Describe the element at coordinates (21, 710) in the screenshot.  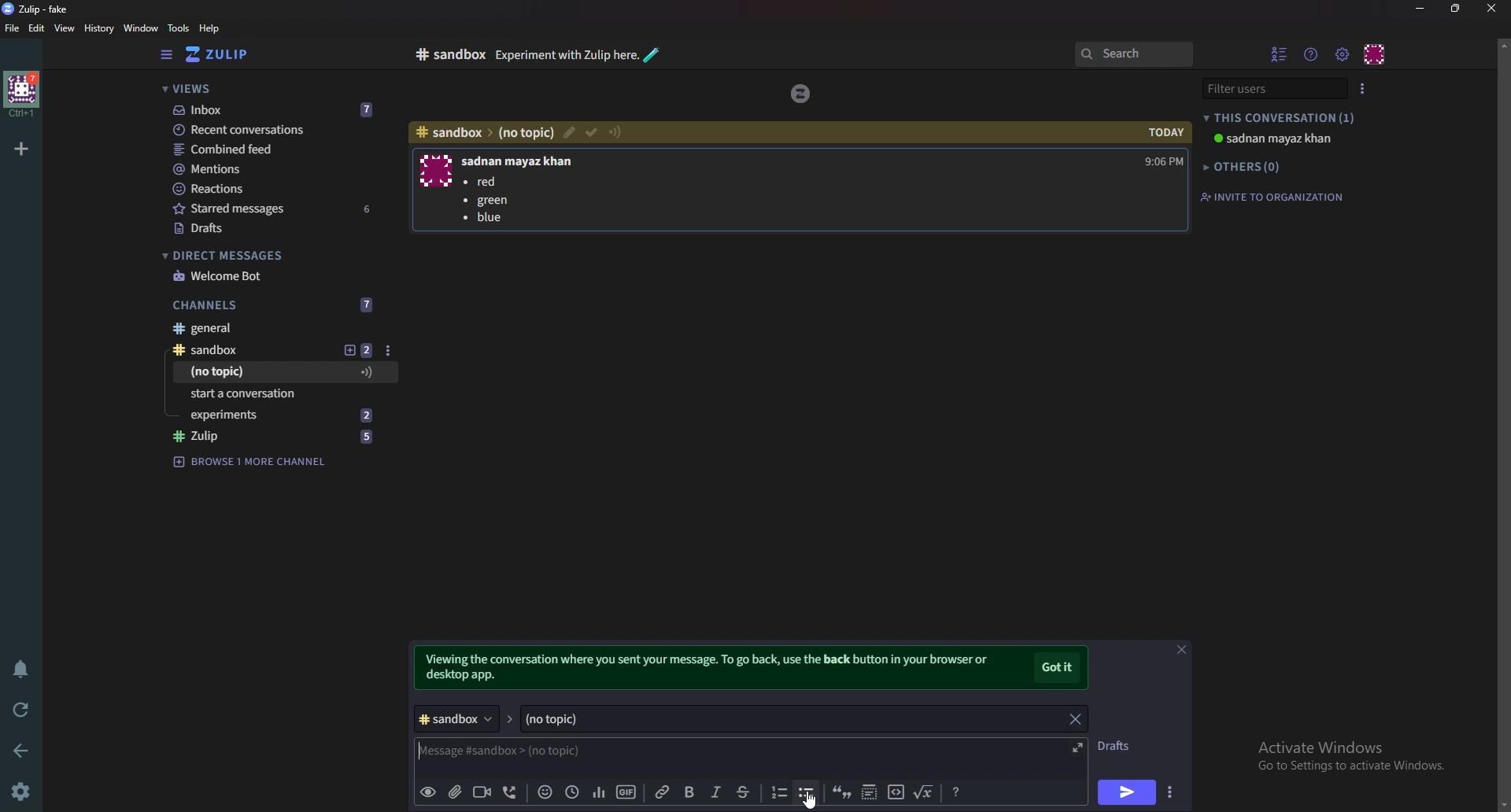
I see `Reload` at that location.